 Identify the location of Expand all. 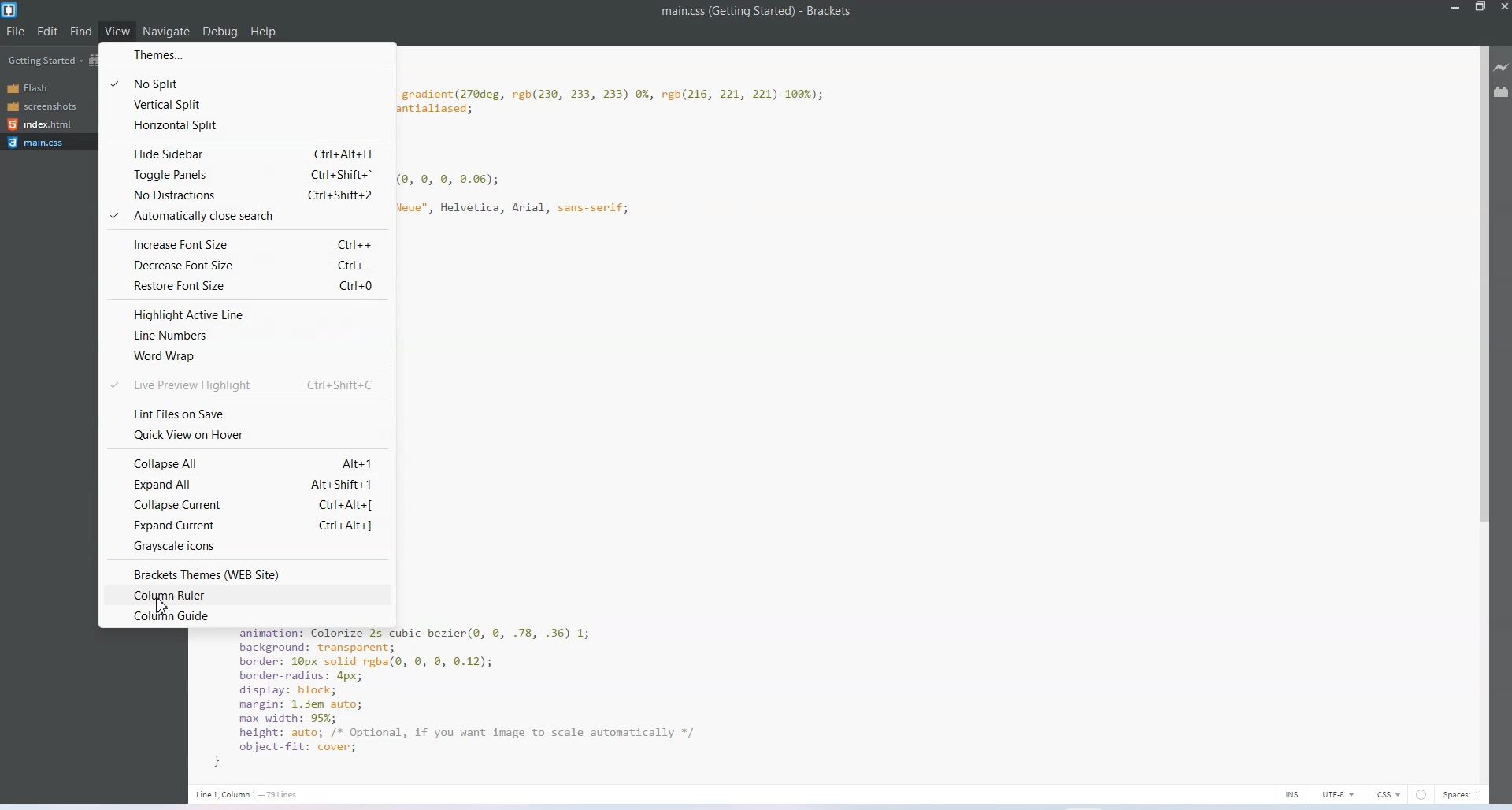
(247, 484).